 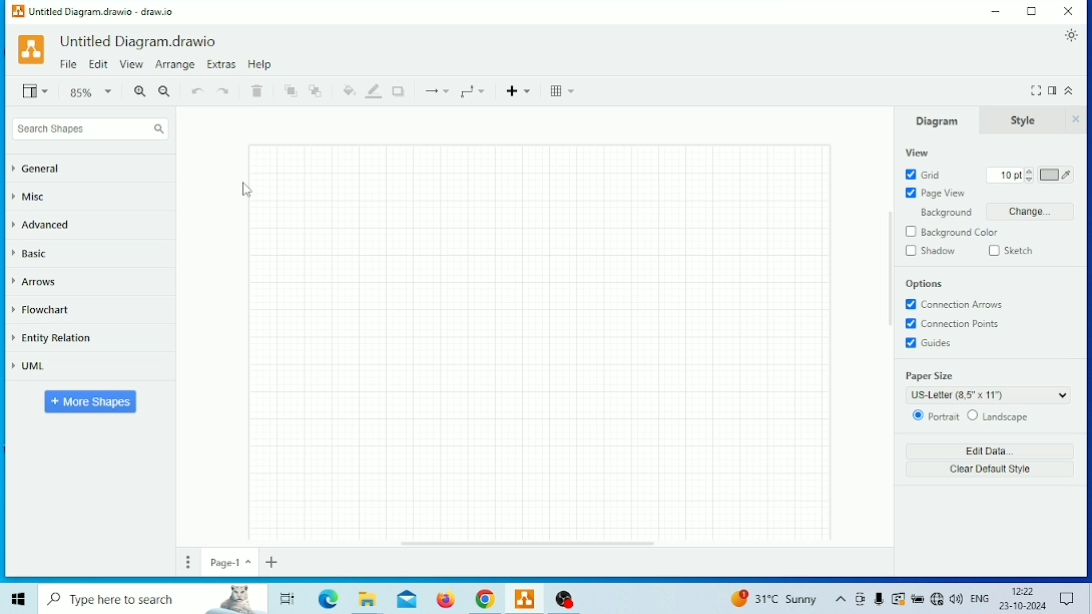 What do you see at coordinates (272, 562) in the screenshot?
I see `Insert Page` at bounding box center [272, 562].